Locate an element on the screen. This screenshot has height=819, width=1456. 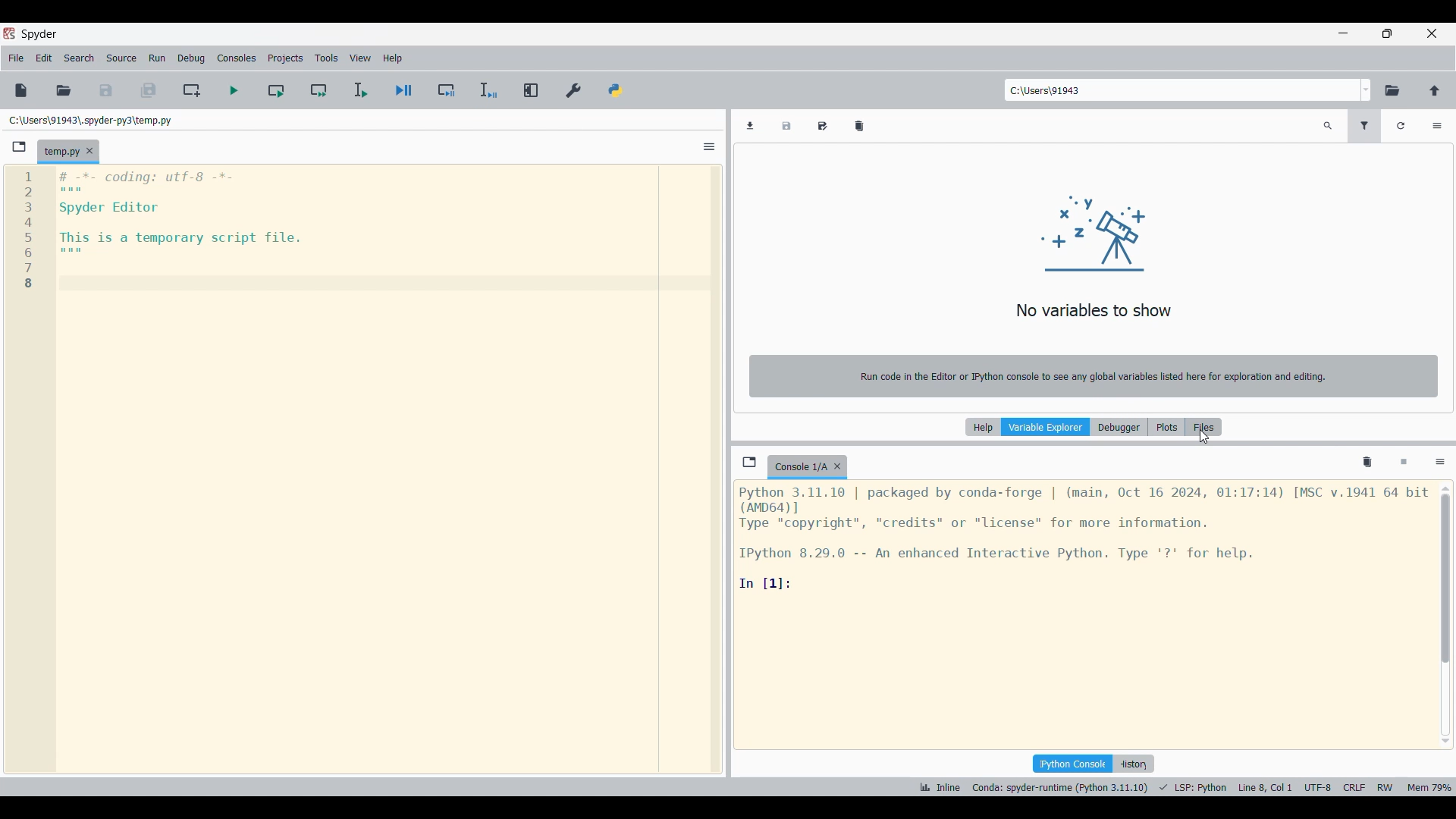
Filter variables is located at coordinates (1364, 126).